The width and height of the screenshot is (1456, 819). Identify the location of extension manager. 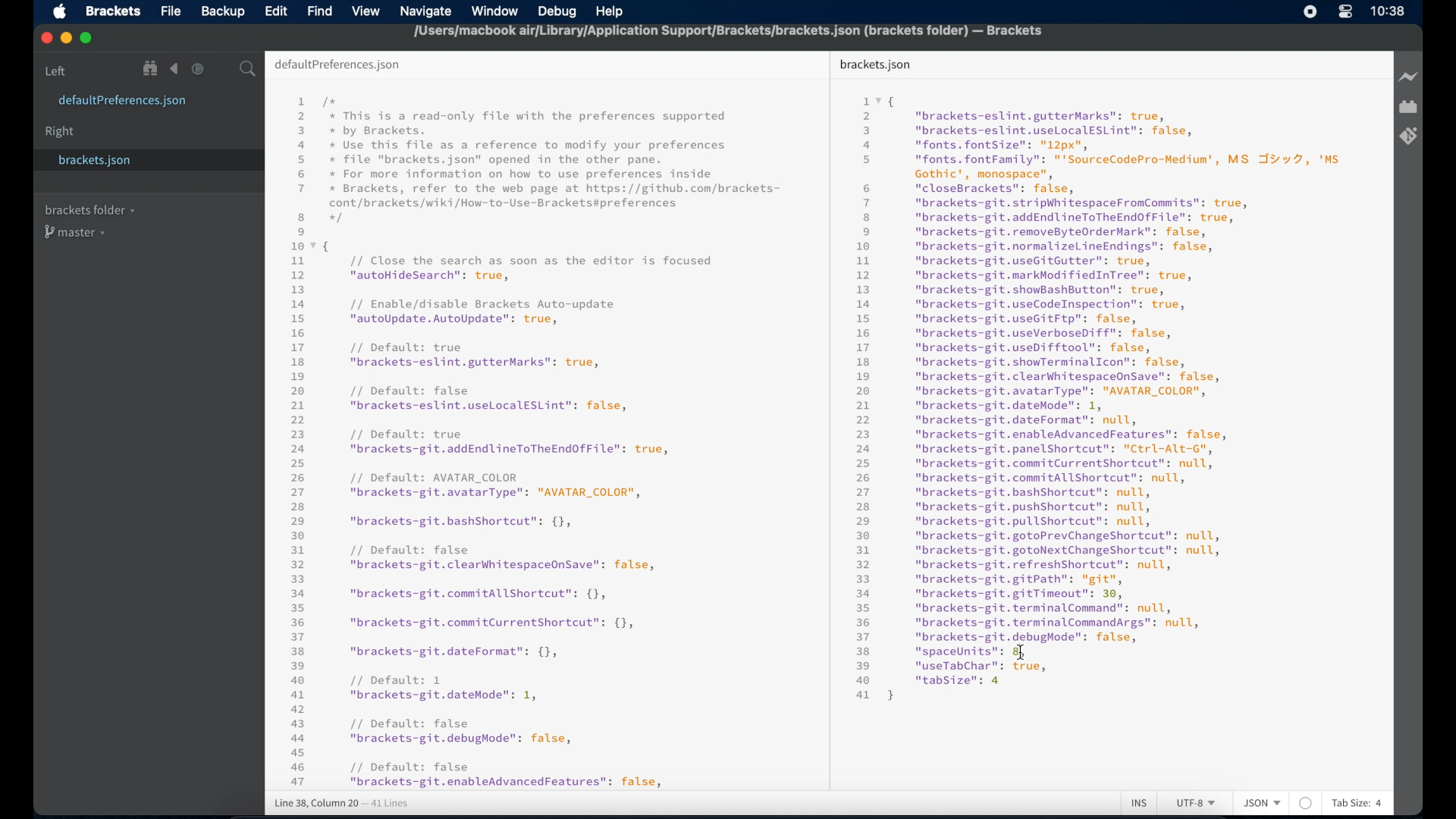
(1408, 107).